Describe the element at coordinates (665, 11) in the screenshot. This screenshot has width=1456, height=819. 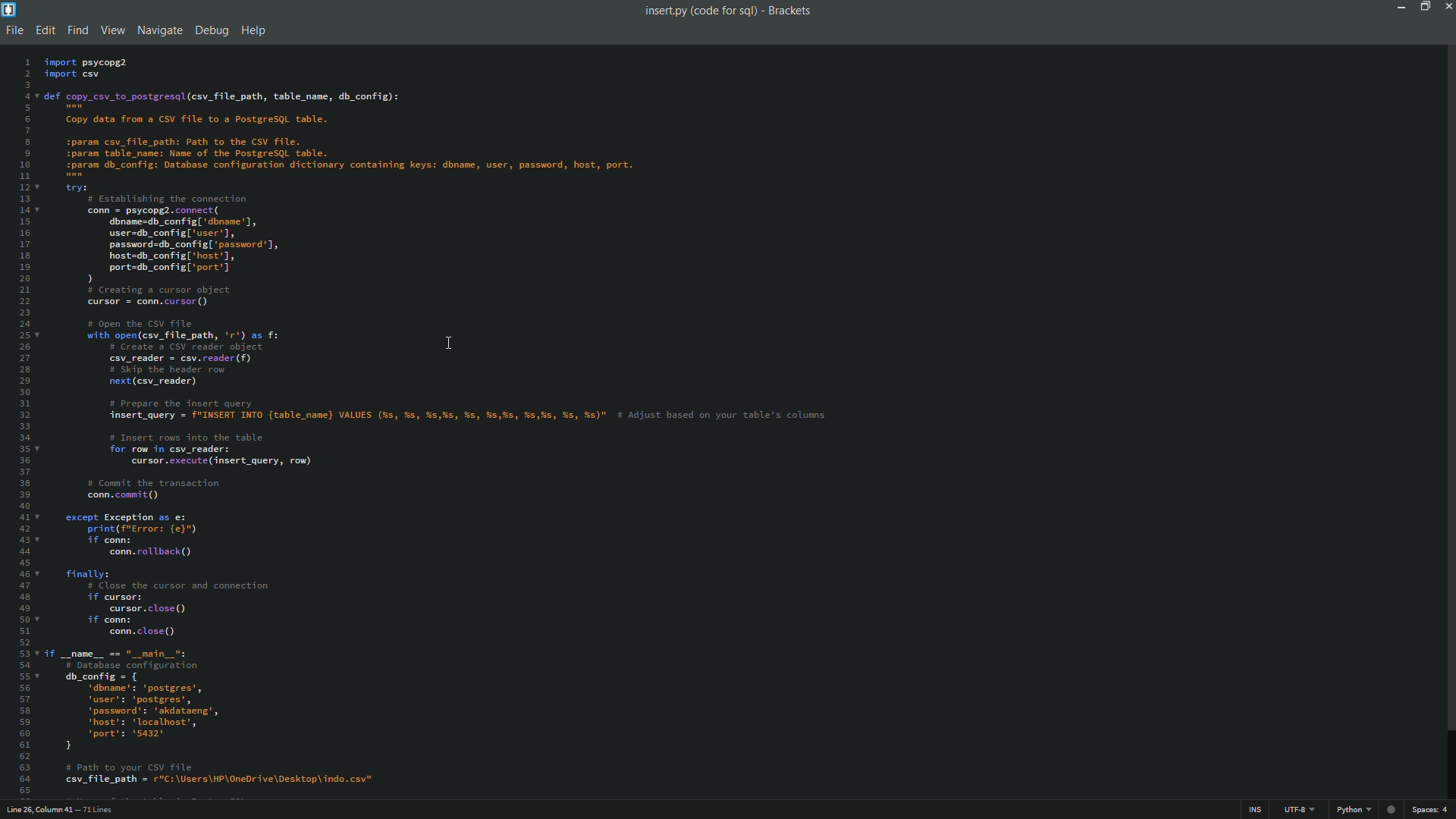
I see `file name` at that location.